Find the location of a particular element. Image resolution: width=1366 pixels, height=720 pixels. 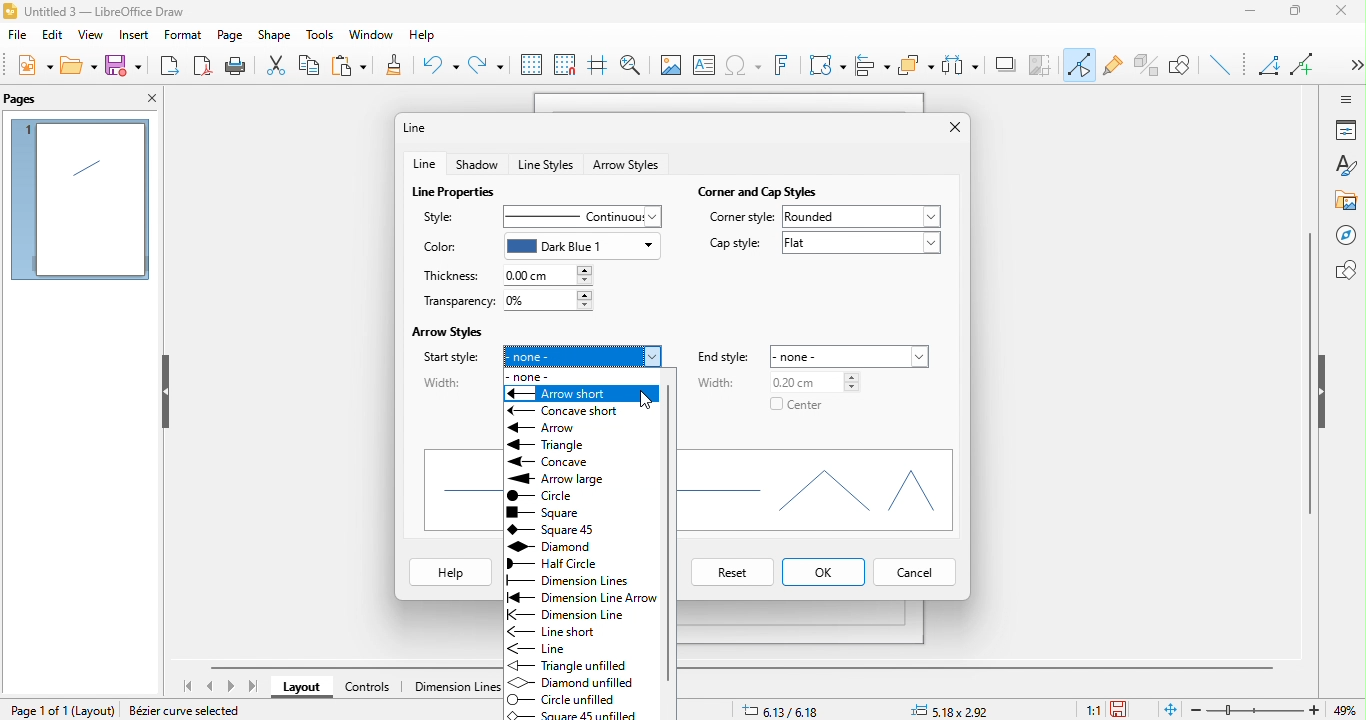

select at least three object to distribute is located at coordinates (963, 64).